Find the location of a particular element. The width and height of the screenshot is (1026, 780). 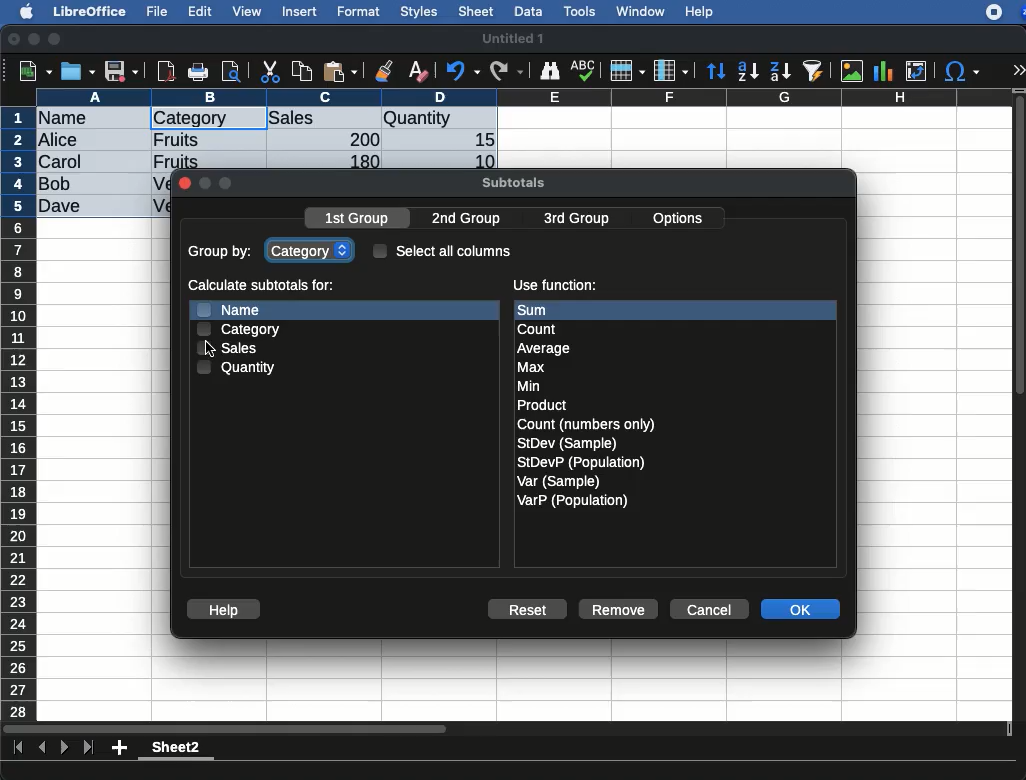

200 is located at coordinates (359, 139).